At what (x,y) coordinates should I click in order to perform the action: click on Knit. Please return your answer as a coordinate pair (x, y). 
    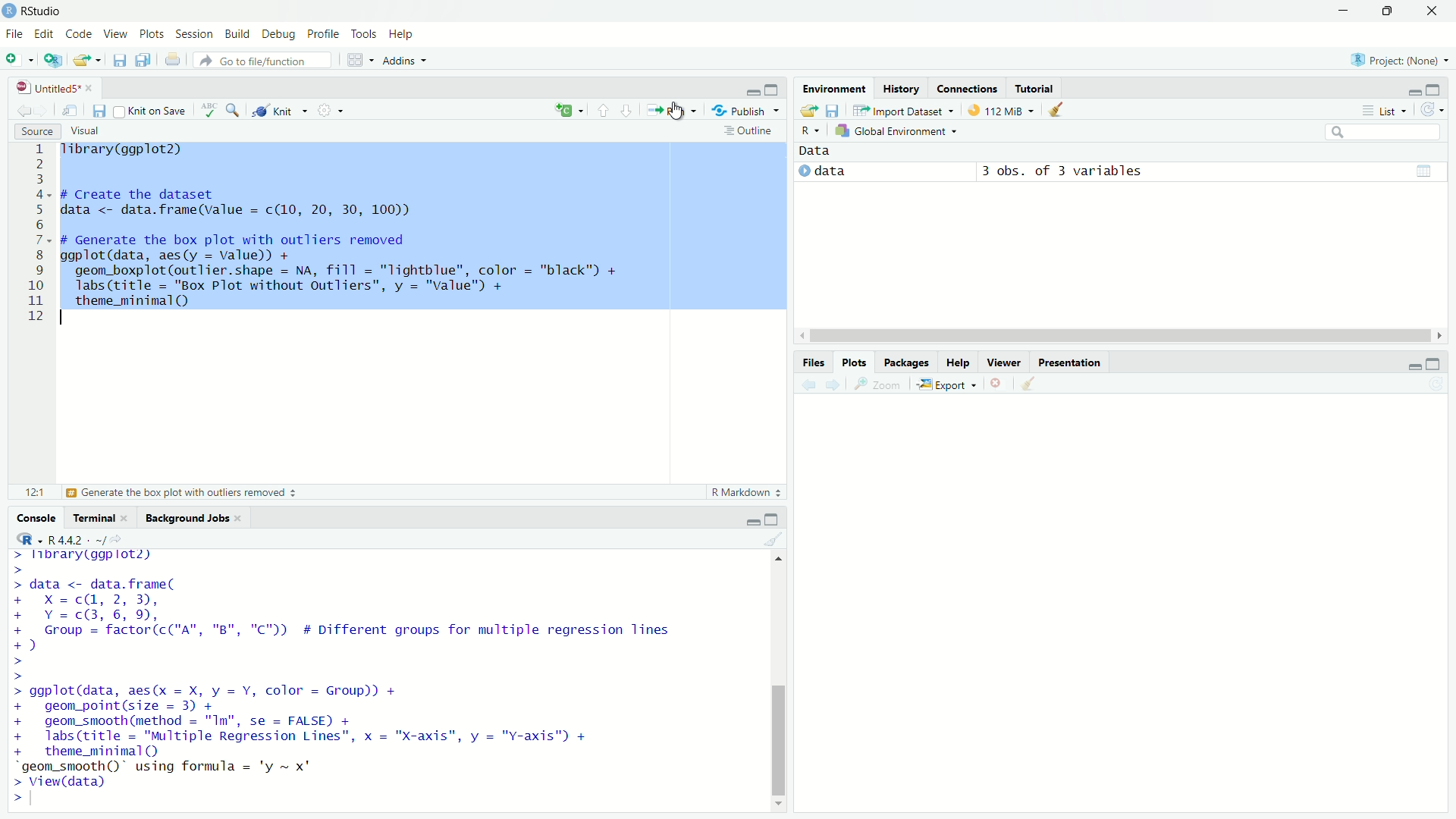
    Looking at the image, I should click on (273, 112).